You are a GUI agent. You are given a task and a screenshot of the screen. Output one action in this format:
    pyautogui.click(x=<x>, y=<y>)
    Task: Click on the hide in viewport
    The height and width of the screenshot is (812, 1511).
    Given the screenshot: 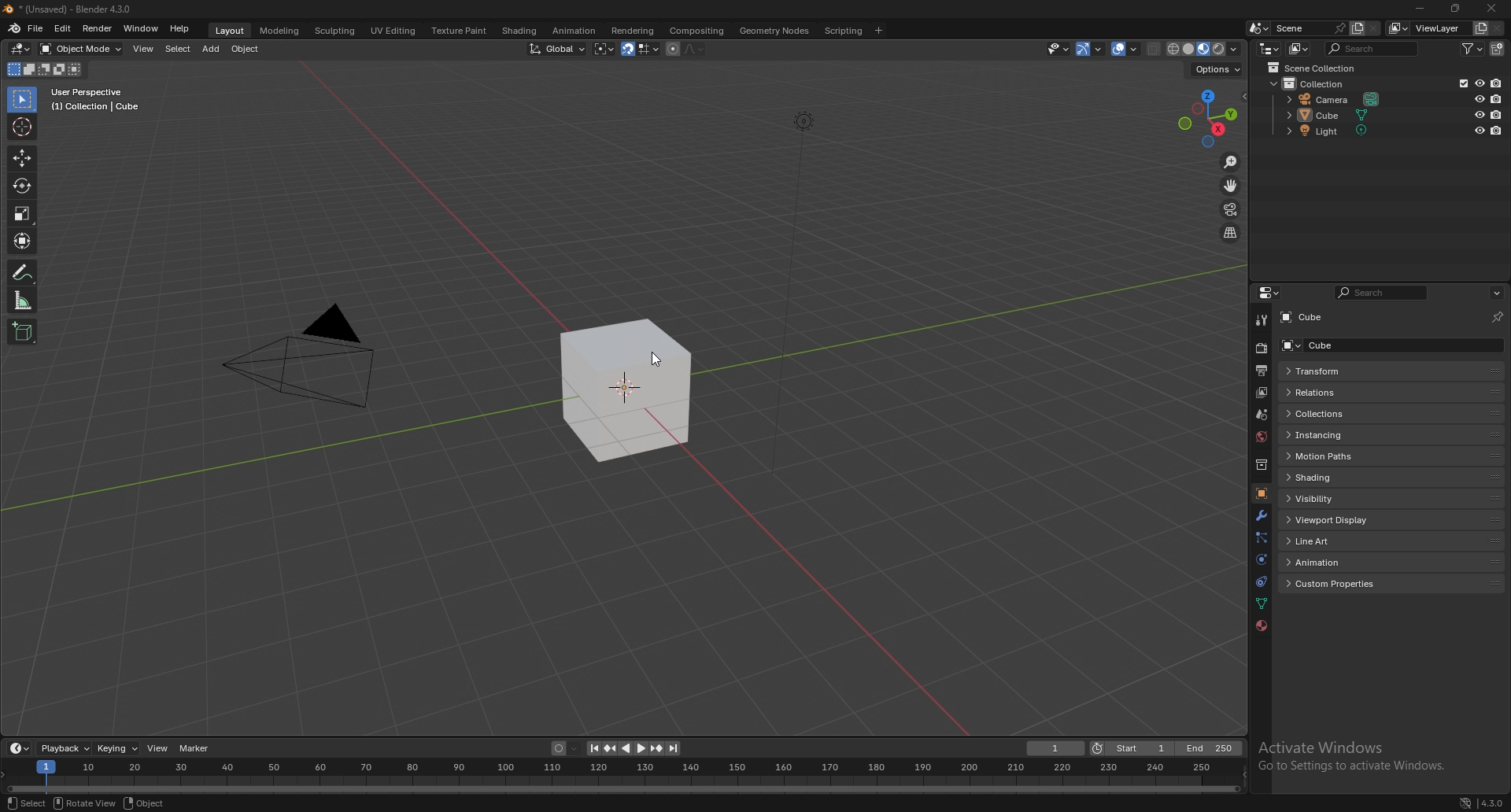 What is the action you would take?
    pyautogui.click(x=1479, y=98)
    